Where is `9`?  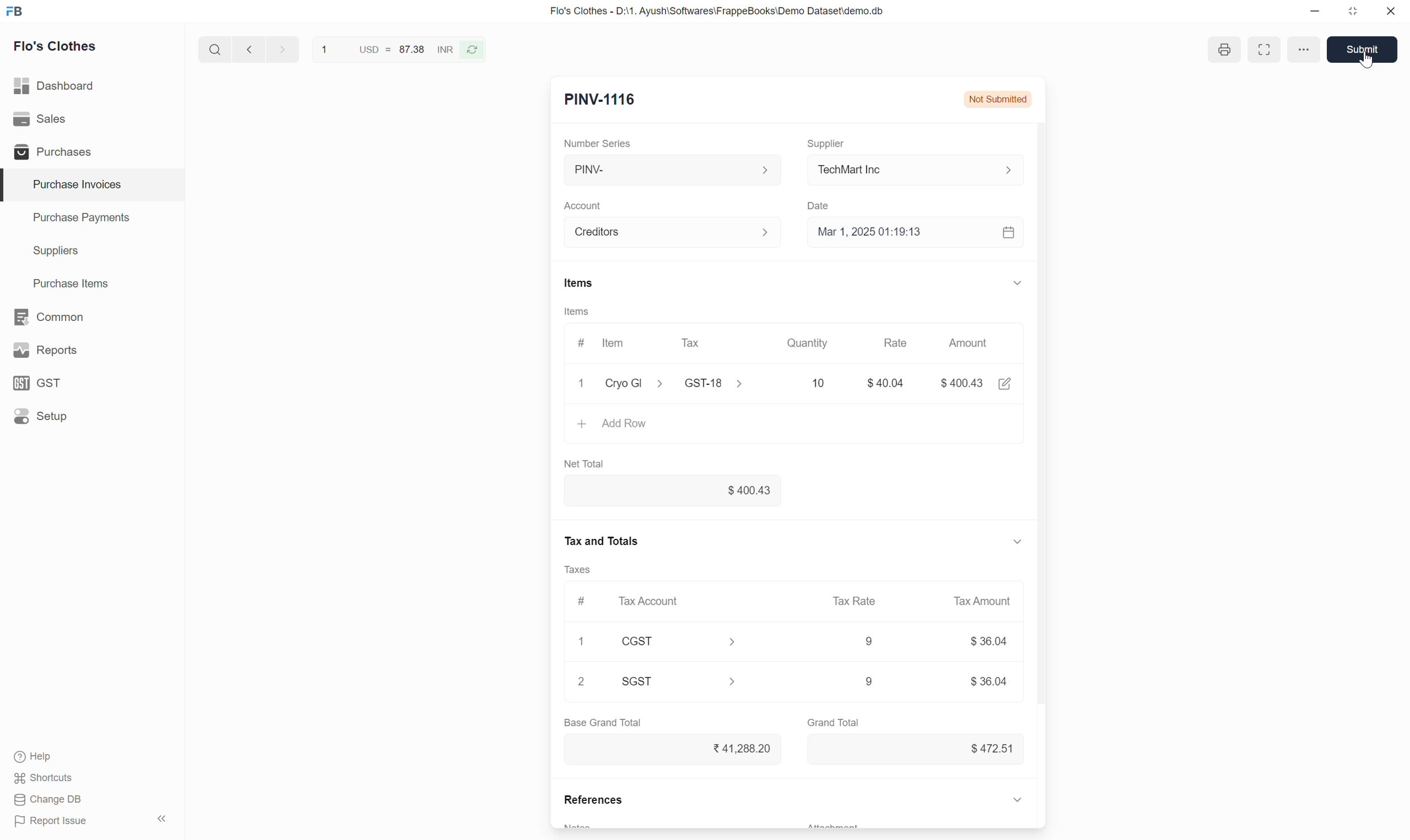
9 is located at coordinates (866, 642).